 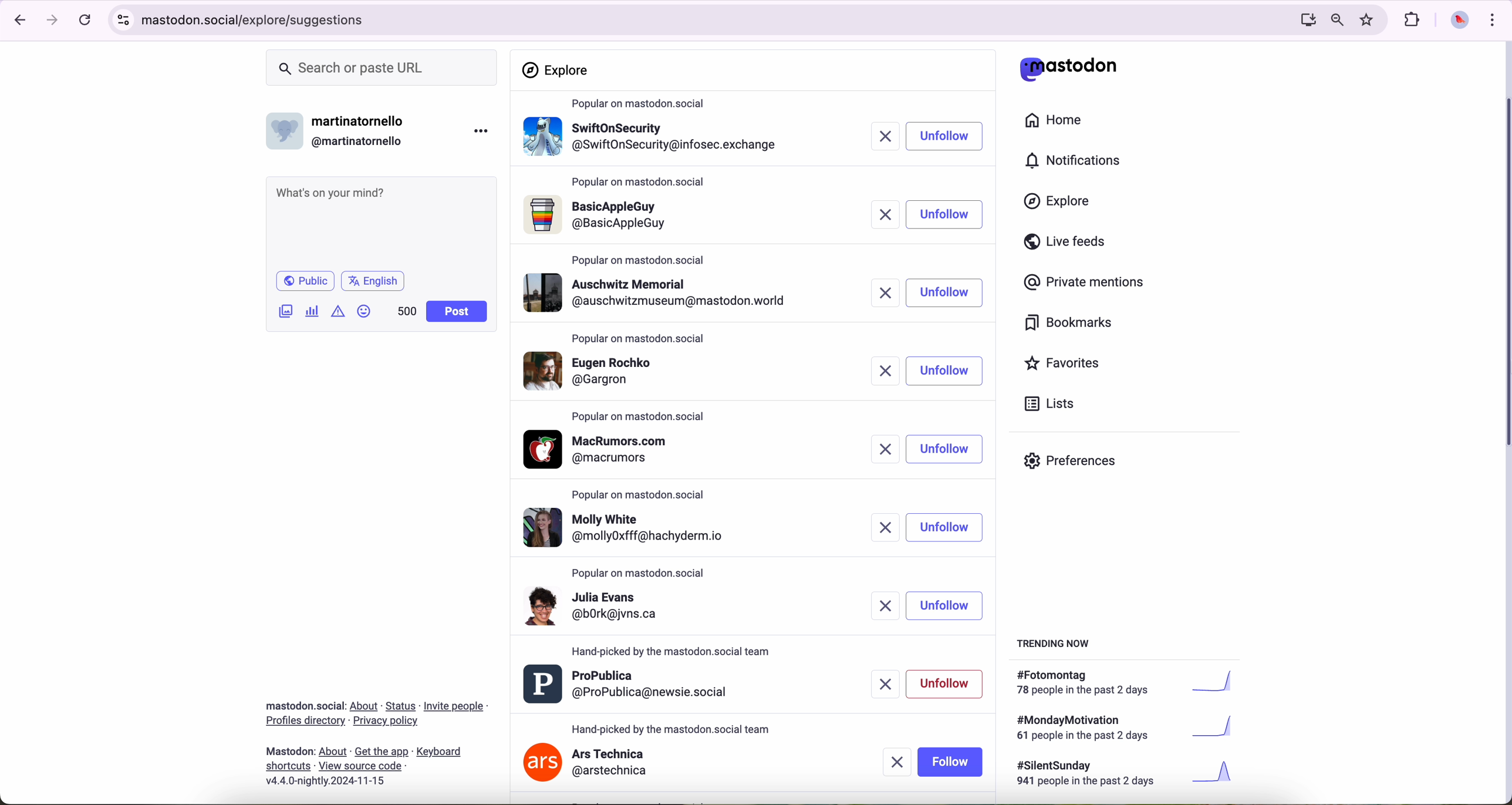 What do you see at coordinates (640, 258) in the screenshot?
I see `popular on mastodon.social` at bounding box center [640, 258].